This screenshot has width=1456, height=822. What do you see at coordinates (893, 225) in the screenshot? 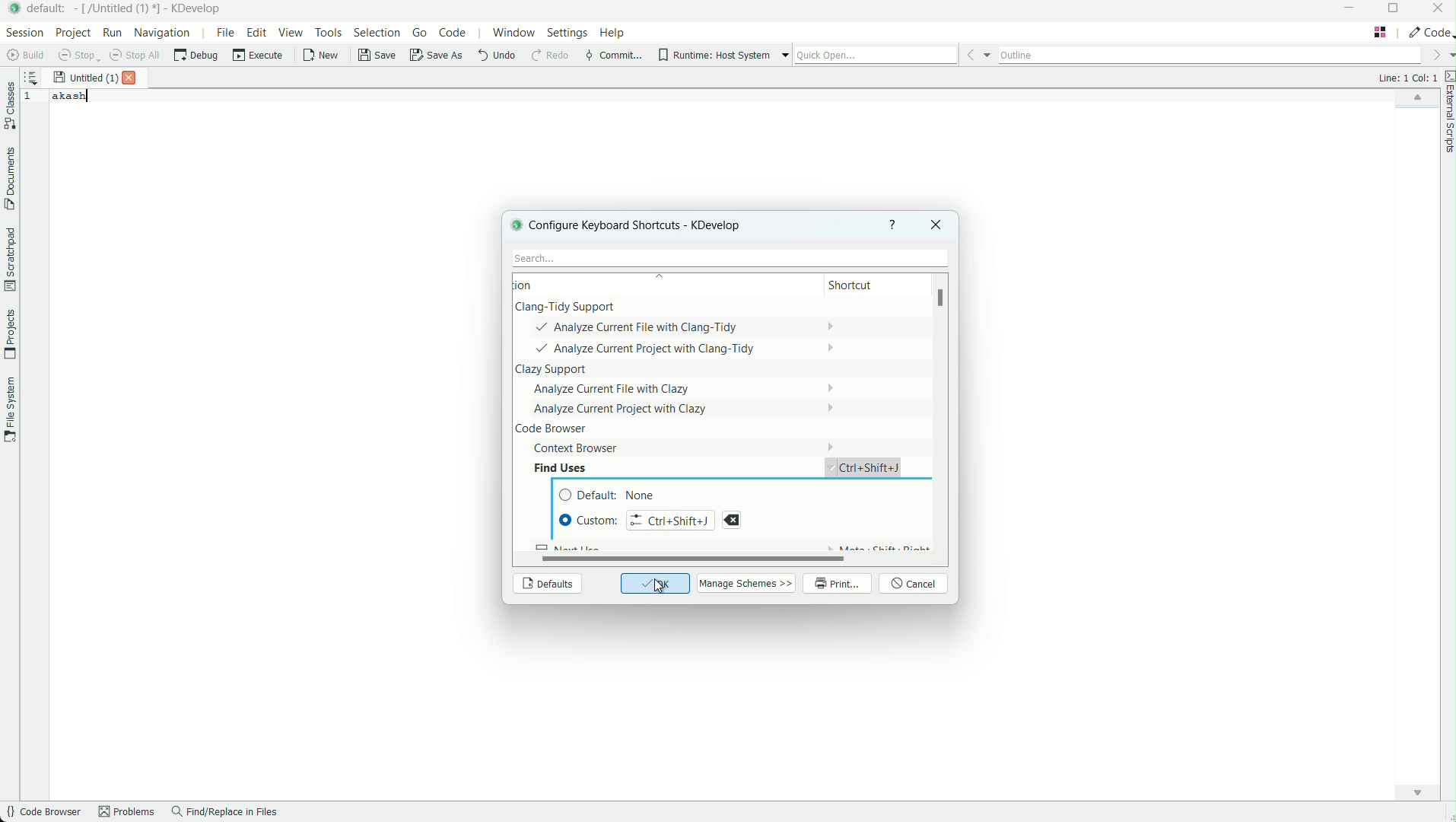
I see `help` at bounding box center [893, 225].